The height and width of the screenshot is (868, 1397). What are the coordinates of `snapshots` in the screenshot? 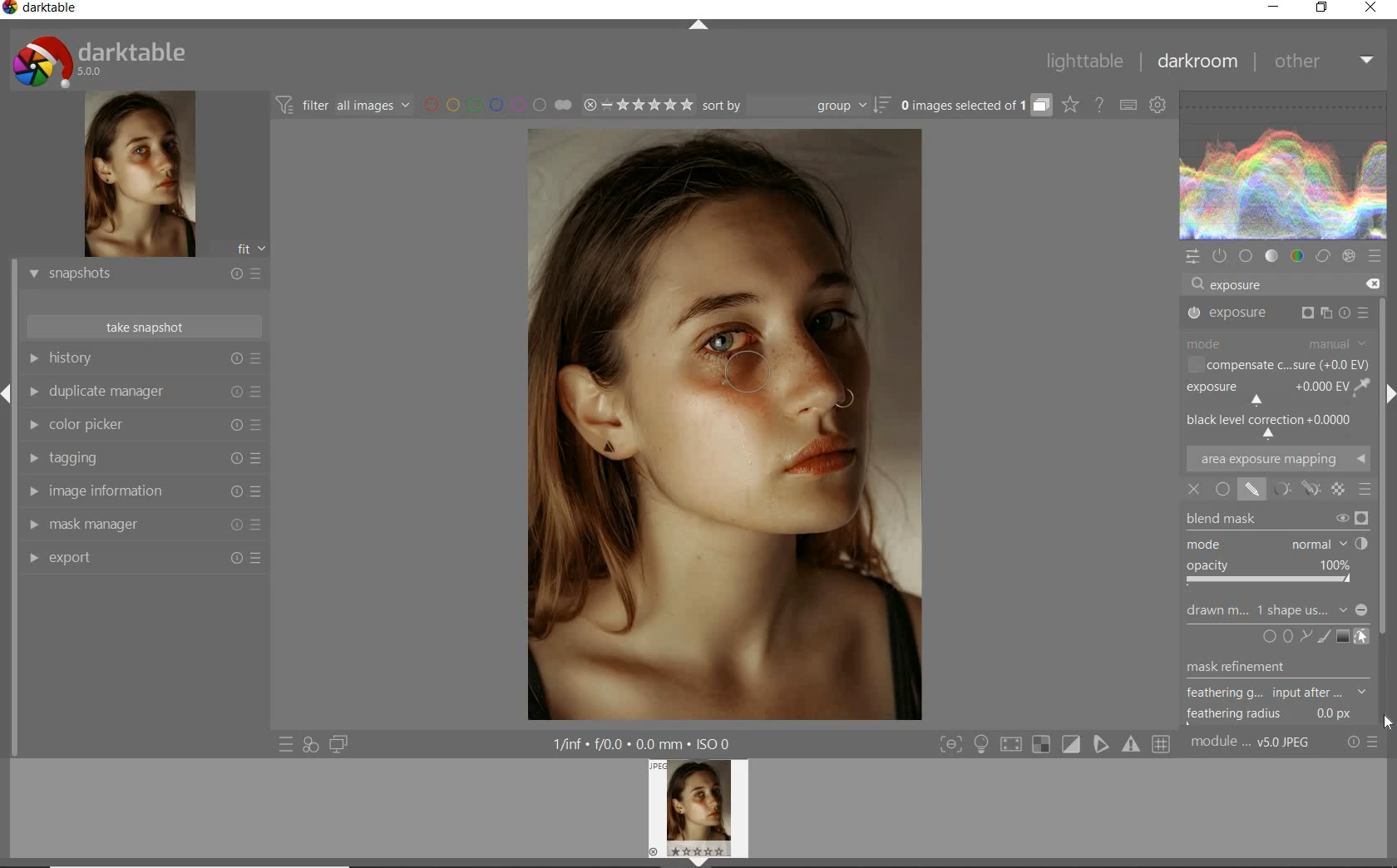 It's located at (142, 274).